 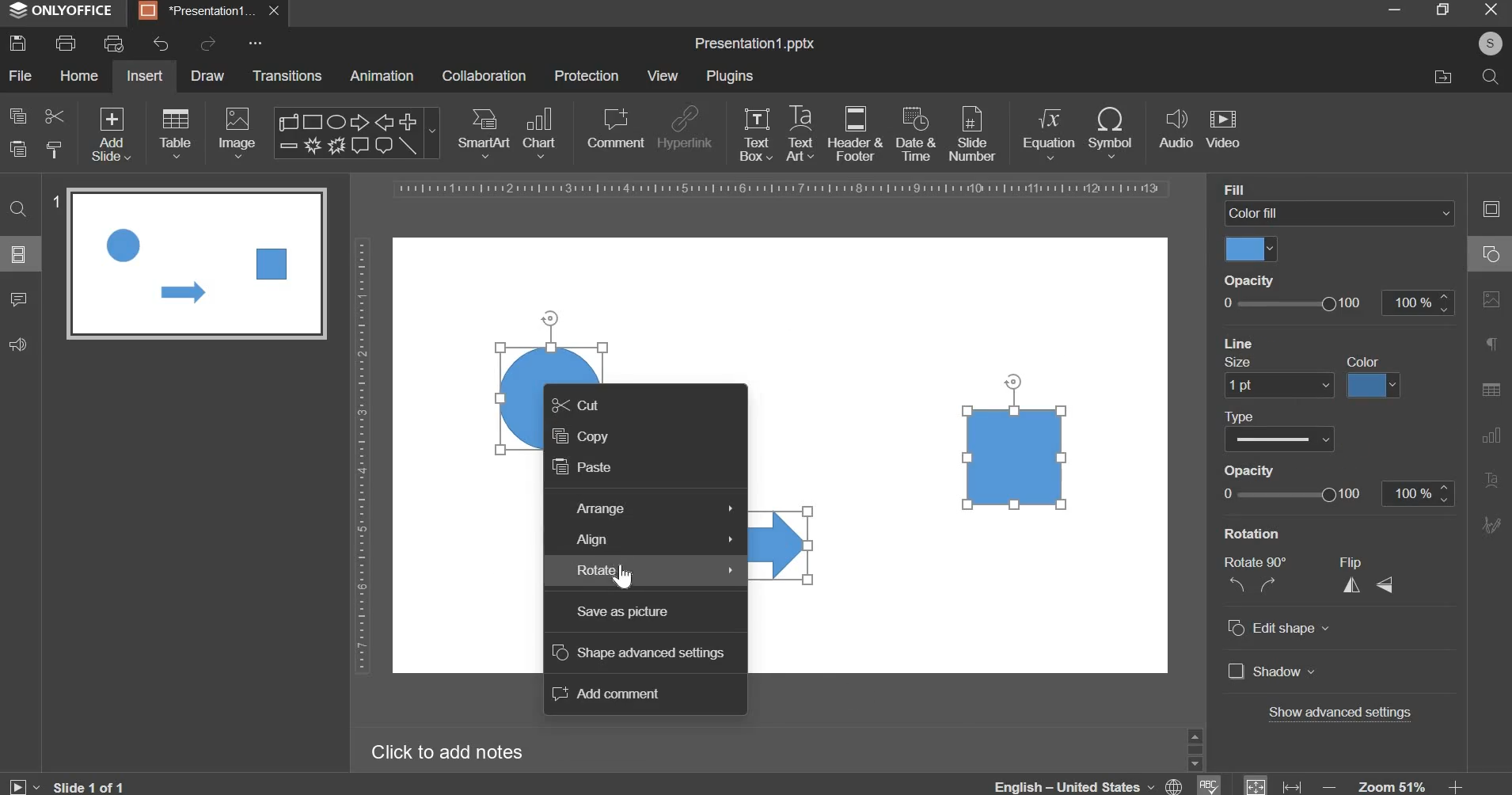 What do you see at coordinates (1335, 494) in the screenshot?
I see `opacity` at bounding box center [1335, 494].